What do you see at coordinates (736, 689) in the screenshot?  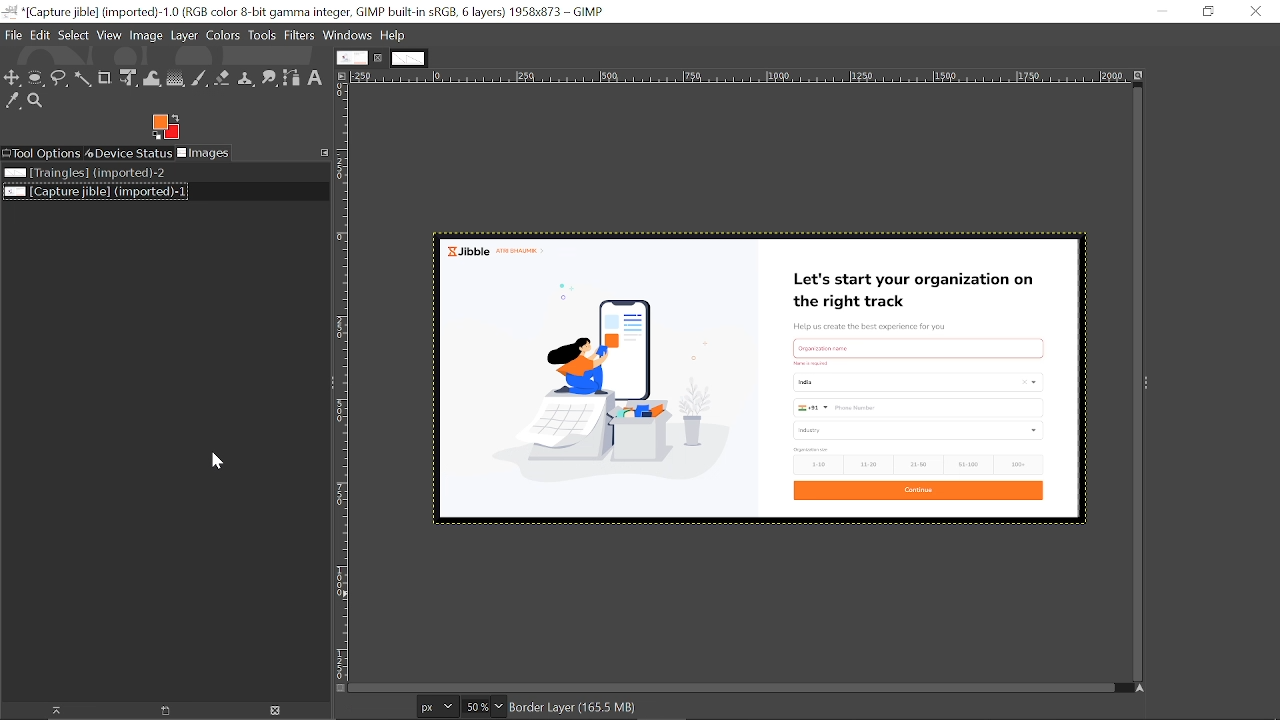 I see `Horizontal scrollbar` at bounding box center [736, 689].